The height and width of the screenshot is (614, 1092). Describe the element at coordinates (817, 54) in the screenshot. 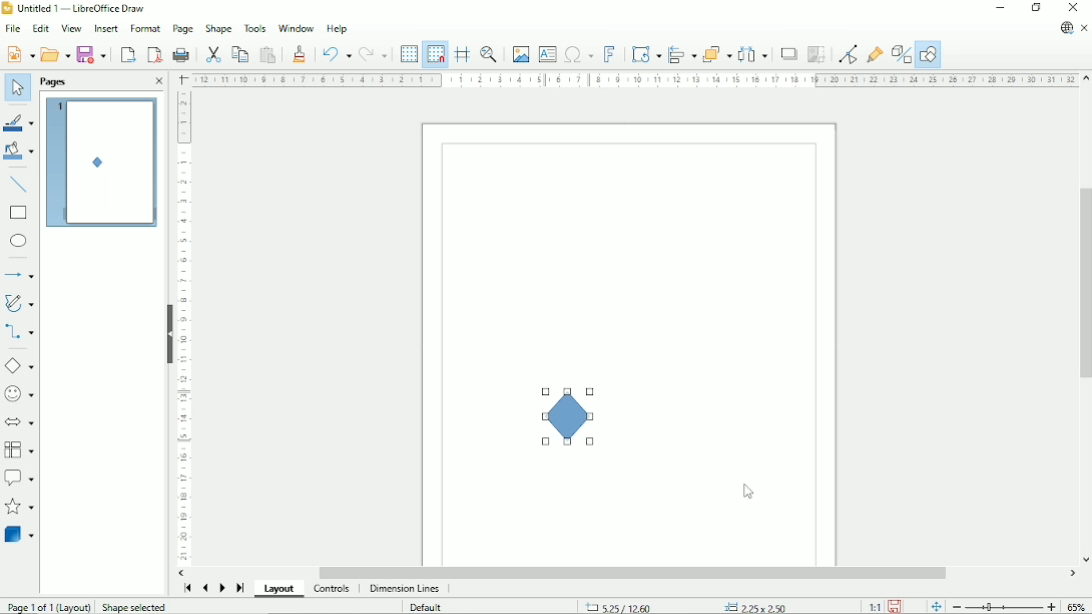

I see `Crop image` at that location.